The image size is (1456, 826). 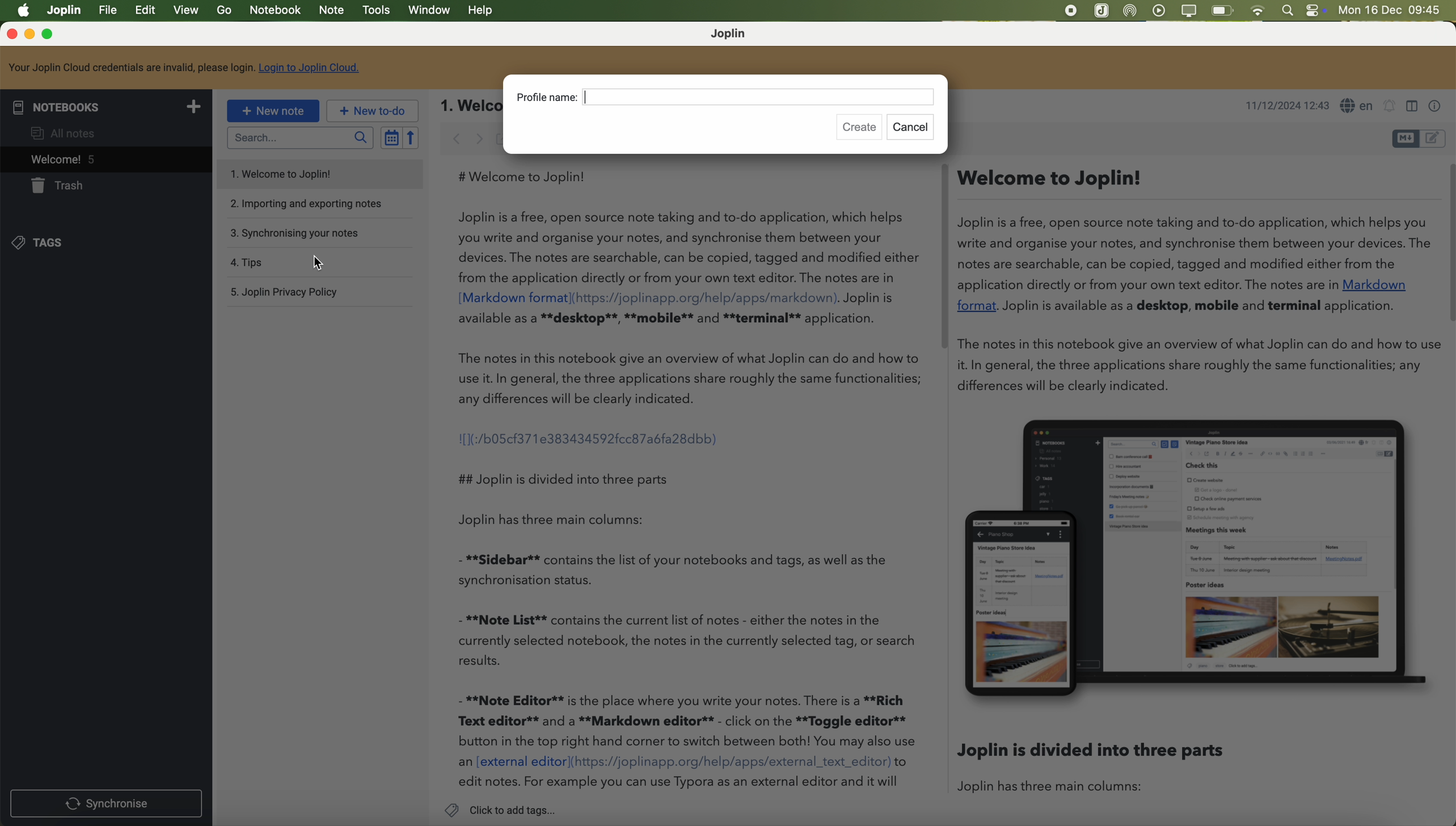 I want to click on go, so click(x=224, y=11).